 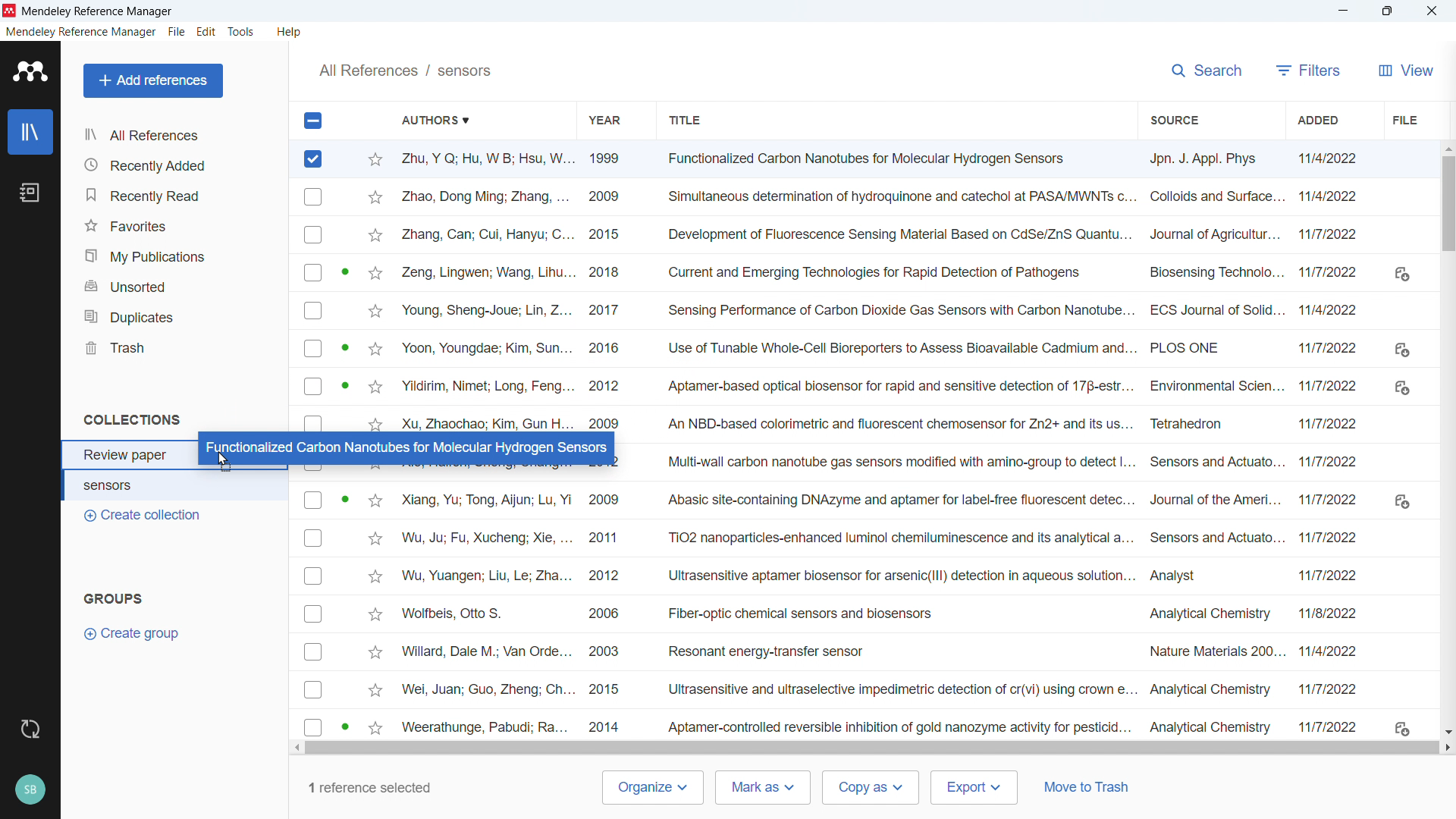 What do you see at coordinates (289, 32) in the screenshot?
I see ` help ` at bounding box center [289, 32].